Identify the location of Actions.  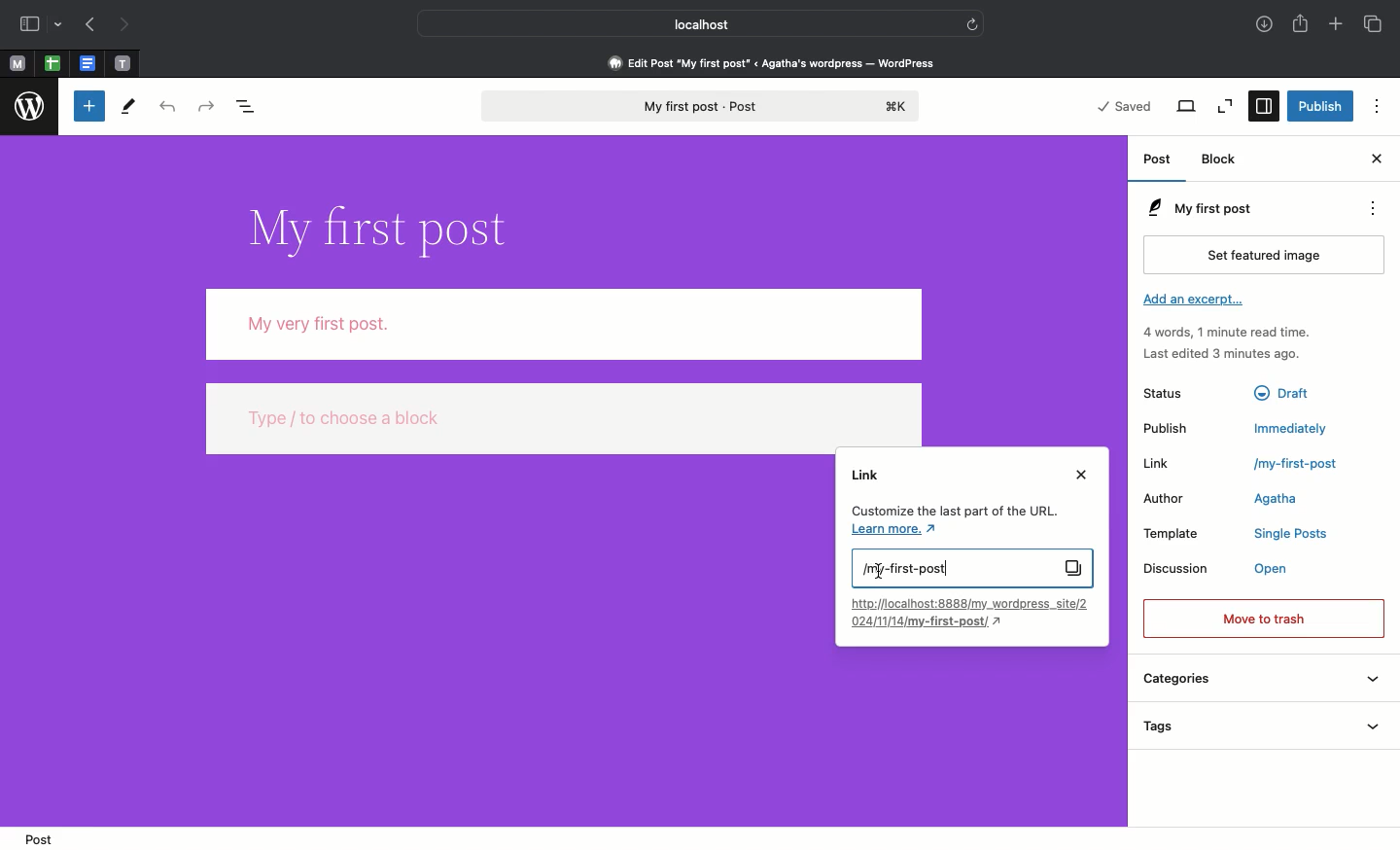
(1371, 208).